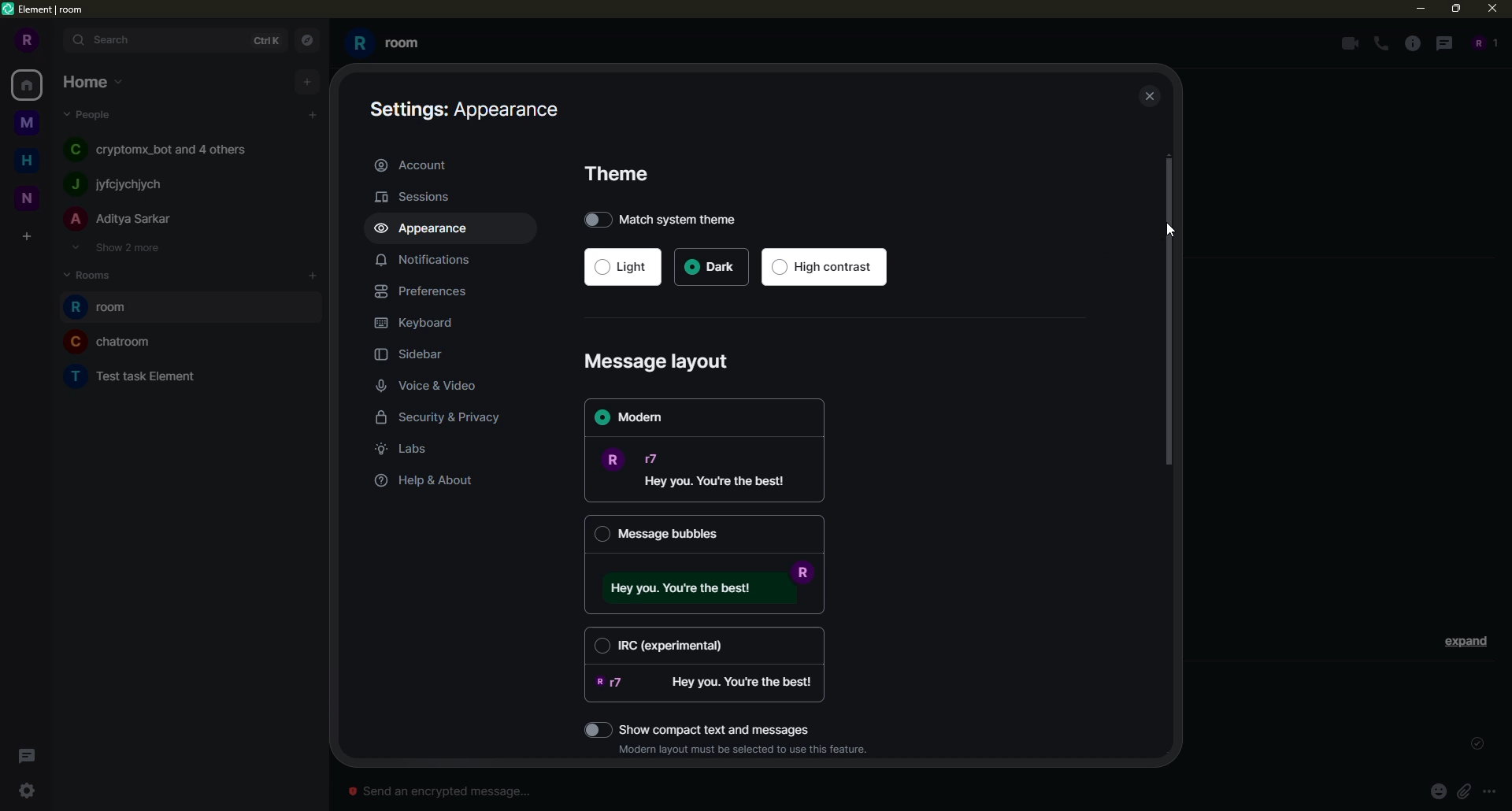 Image resolution: width=1512 pixels, height=811 pixels. Describe the element at coordinates (1438, 791) in the screenshot. I see `emoji` at that location.